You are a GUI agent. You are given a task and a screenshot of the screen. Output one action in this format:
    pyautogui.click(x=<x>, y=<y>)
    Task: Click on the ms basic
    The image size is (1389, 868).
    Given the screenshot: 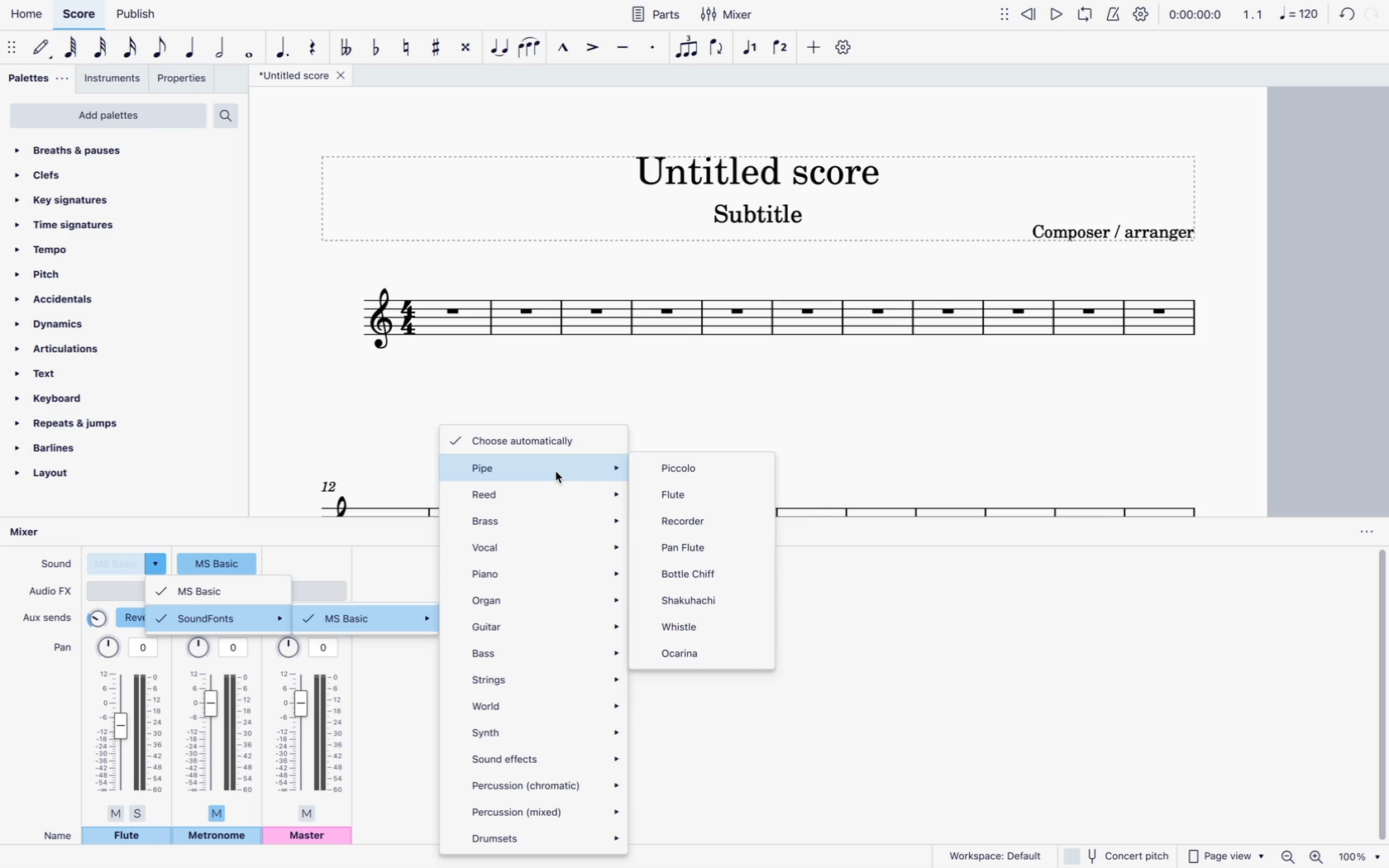 What is the action you would take?
    pyautogui.click(x=370, y=619)
    